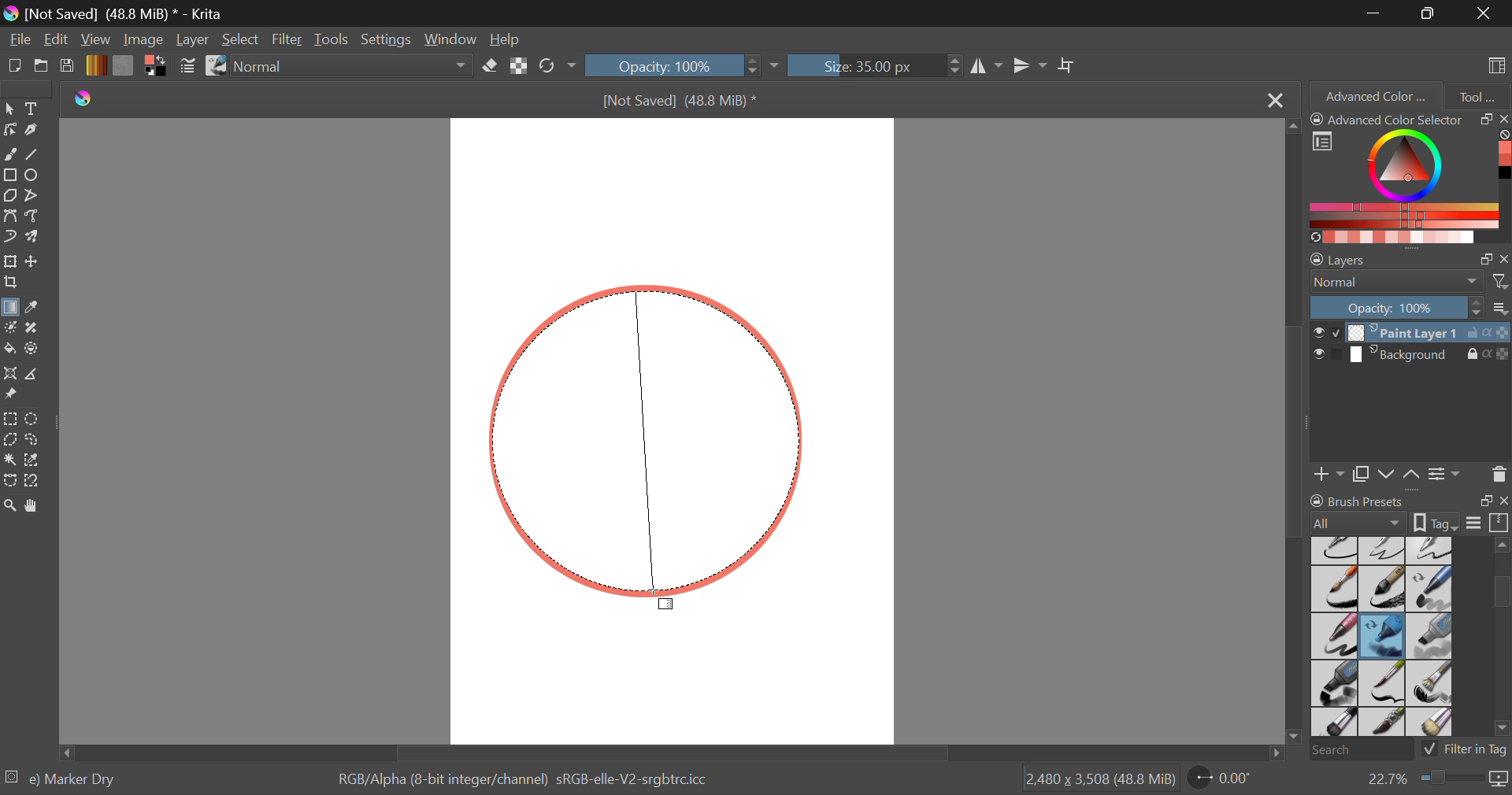 The height and width of the screenshot is (795, 1512). I want to click on Select, so click(242, 41).